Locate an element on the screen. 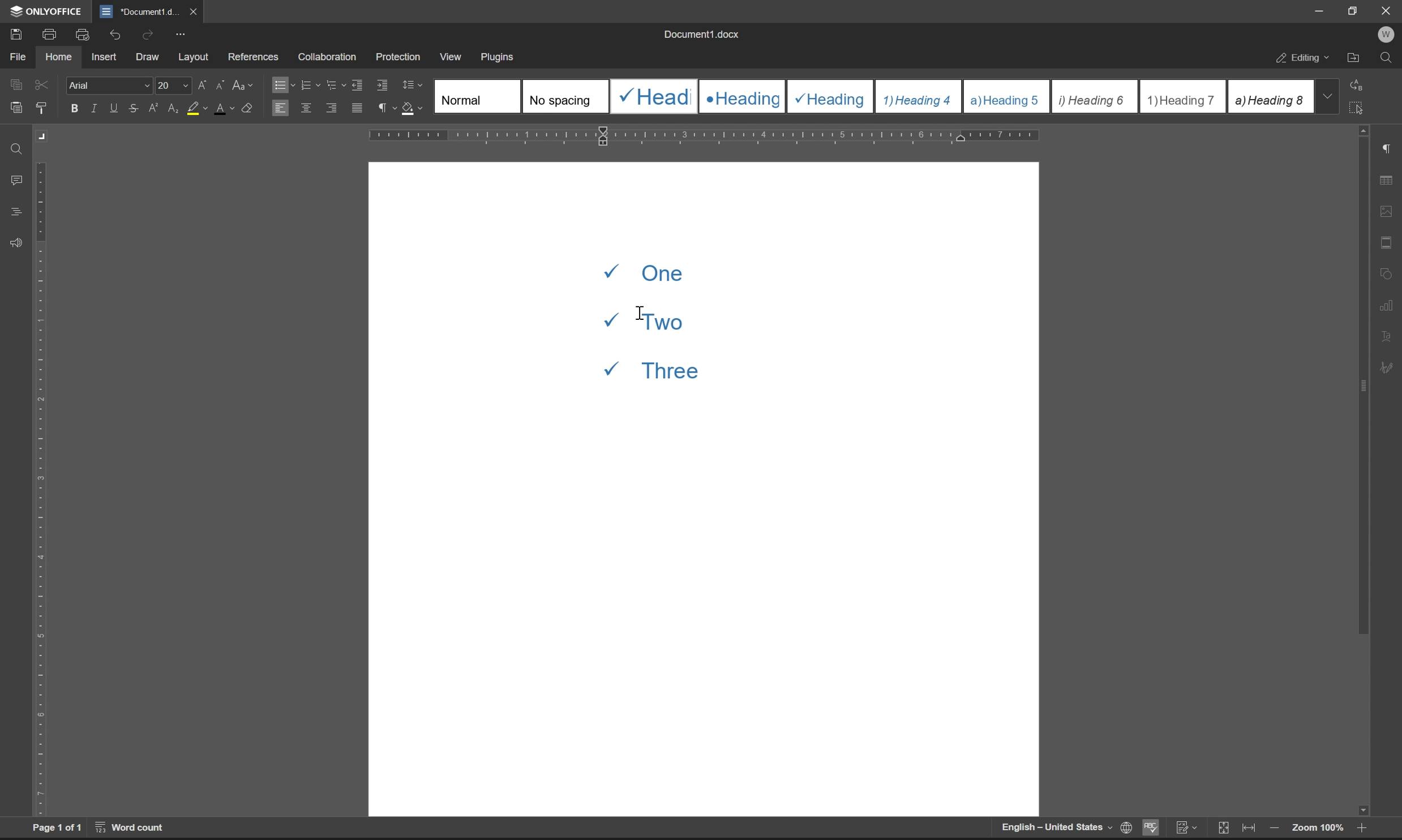 The height and width of the screenshot is (840, 1402). header & footer settings is located at coordinates (1386, 242).